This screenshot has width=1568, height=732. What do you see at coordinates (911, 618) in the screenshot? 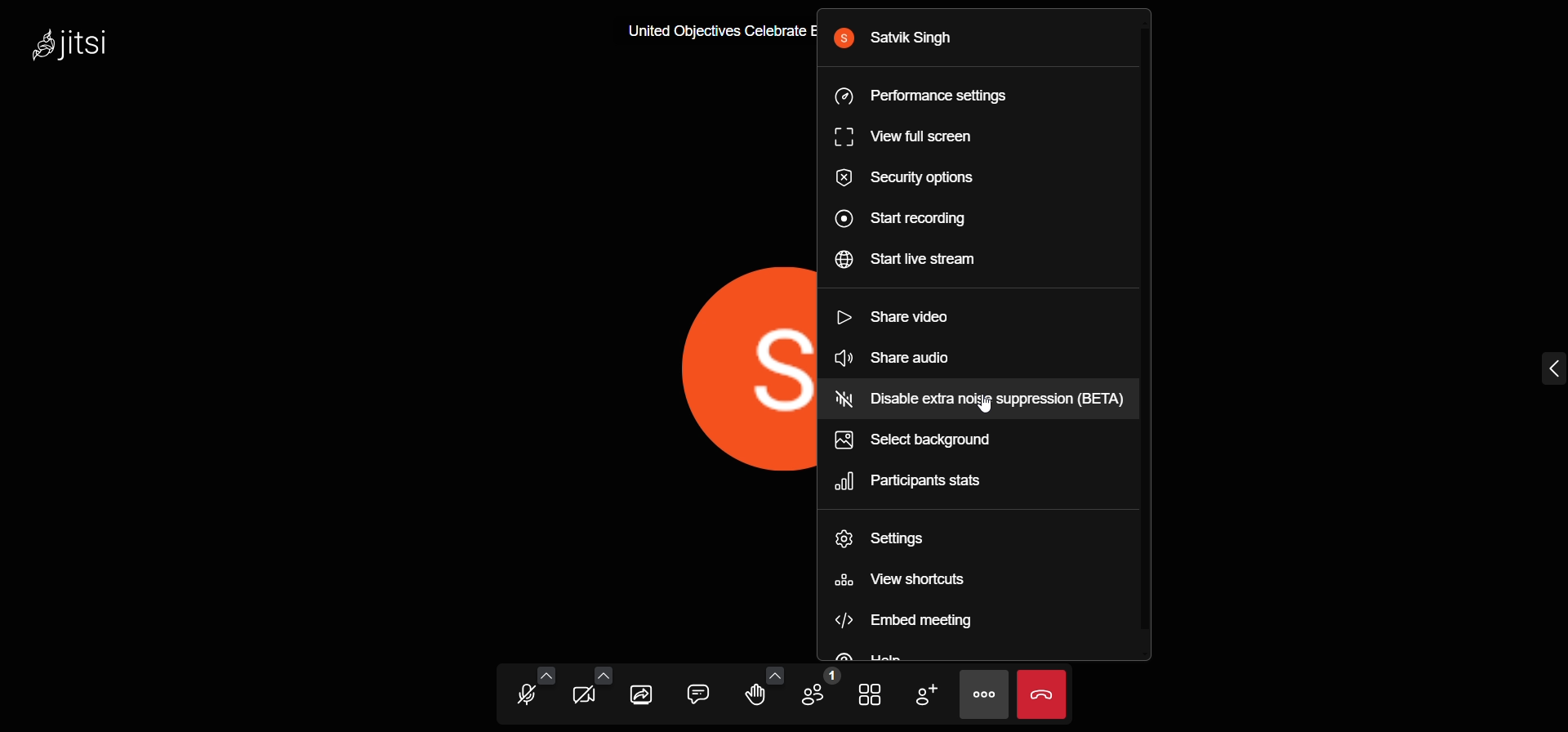
I see `embed meeting` at bounding box center [911, 618].